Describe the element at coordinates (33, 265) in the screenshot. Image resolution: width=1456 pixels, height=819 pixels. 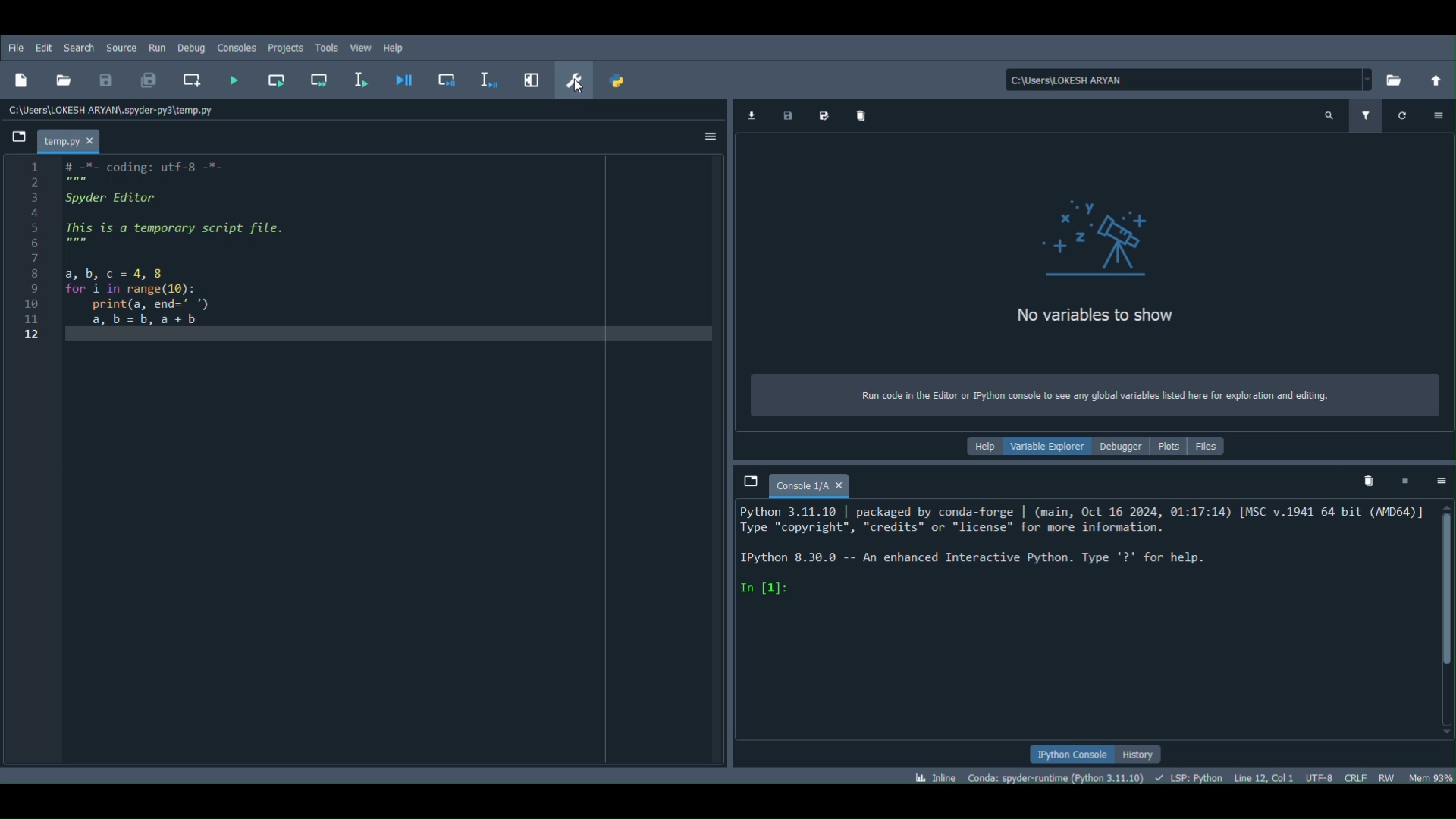
I see `Line numbers` at that location.